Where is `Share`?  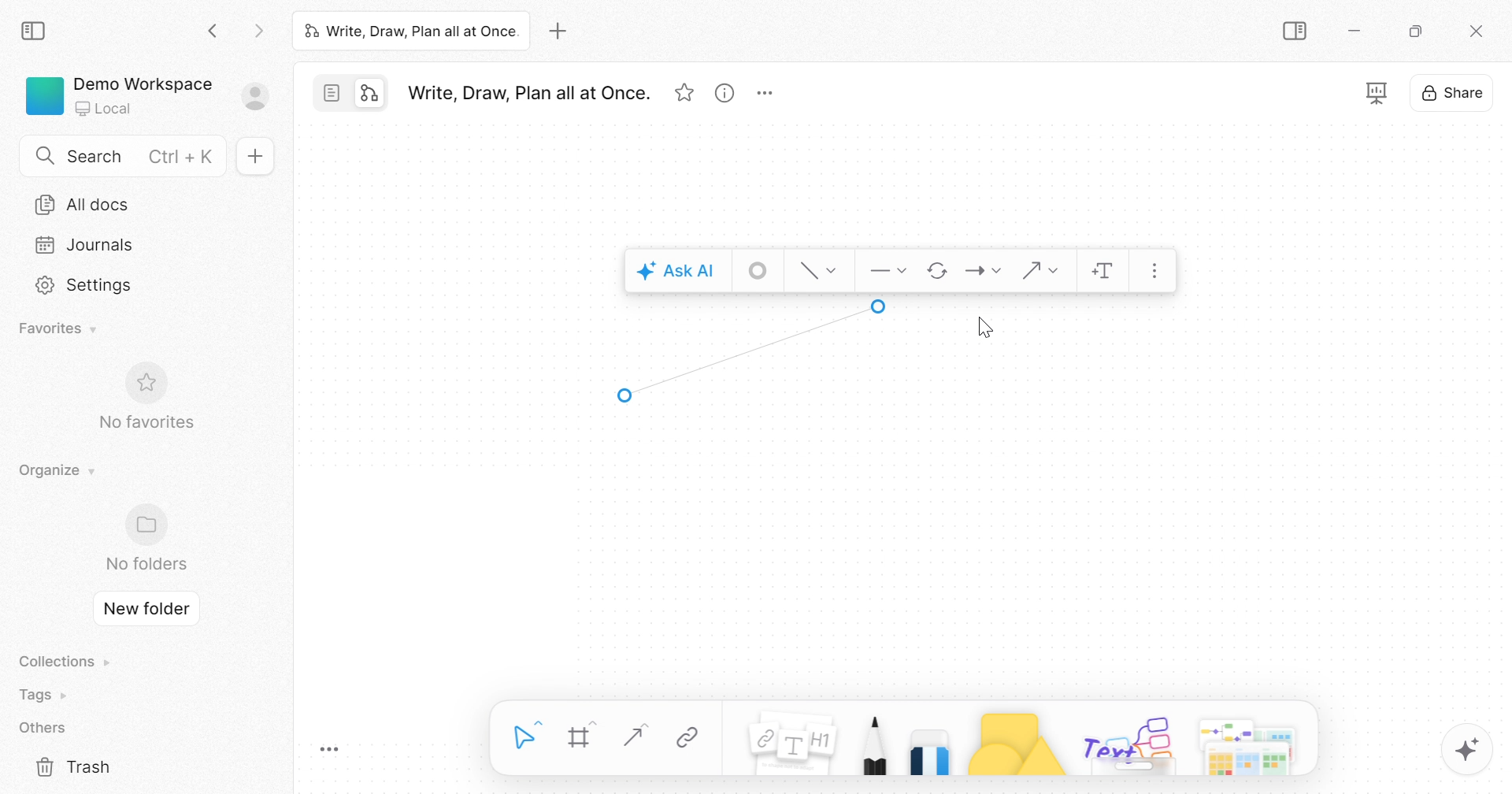 Share is located at coordinates (1453, 96).